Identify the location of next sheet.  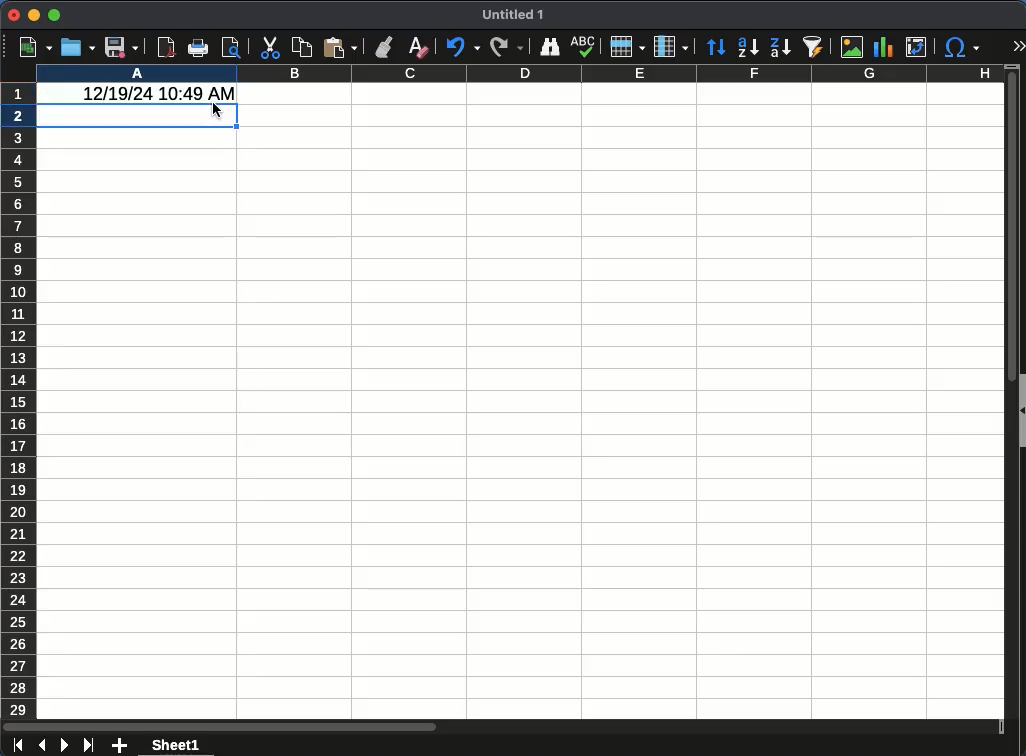
(65, 746).